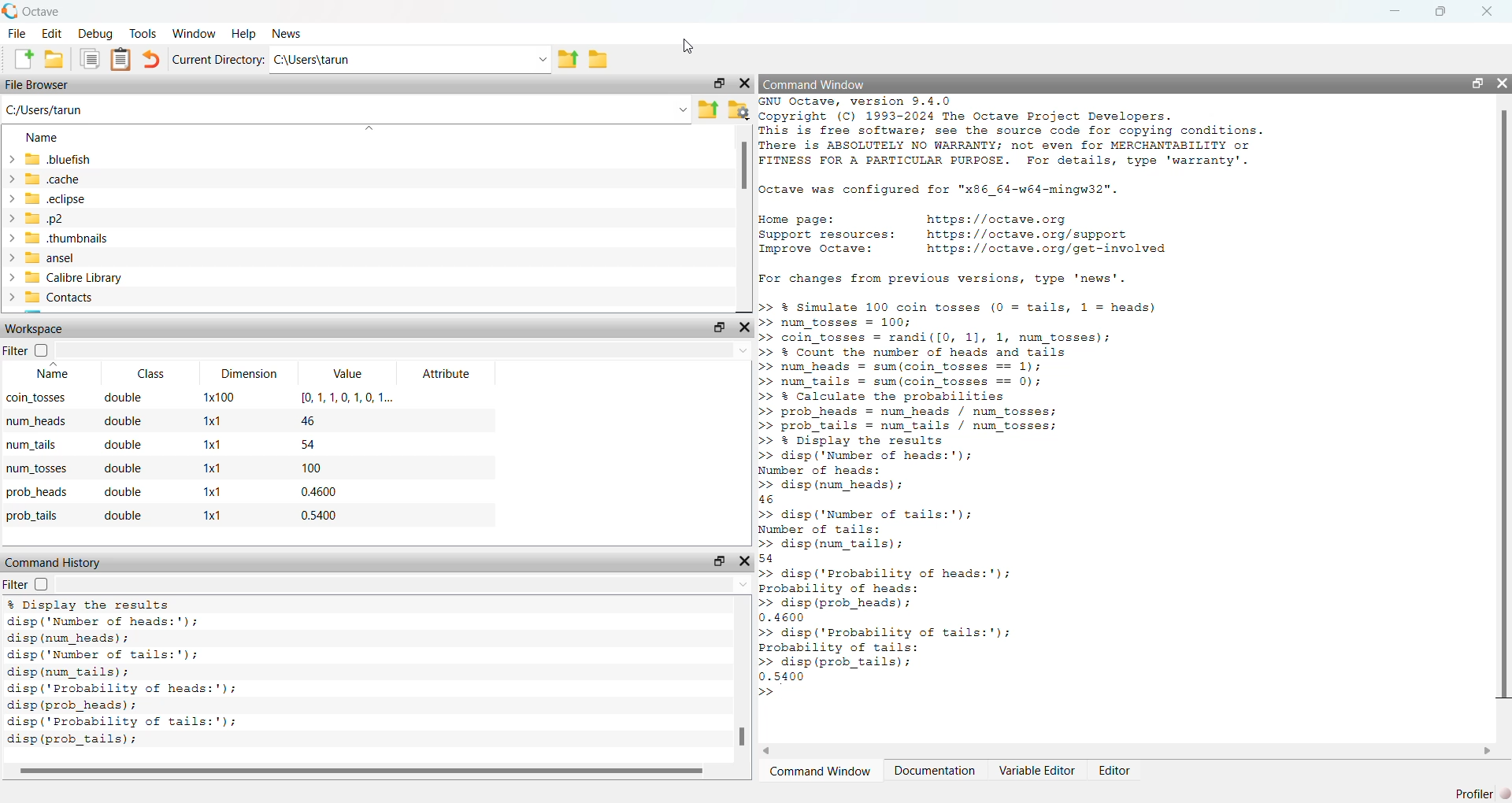 The image size is (1512, 803). Describe the element at coordinates (319, 515) in the screenshot. I see `0.5400` at that location.